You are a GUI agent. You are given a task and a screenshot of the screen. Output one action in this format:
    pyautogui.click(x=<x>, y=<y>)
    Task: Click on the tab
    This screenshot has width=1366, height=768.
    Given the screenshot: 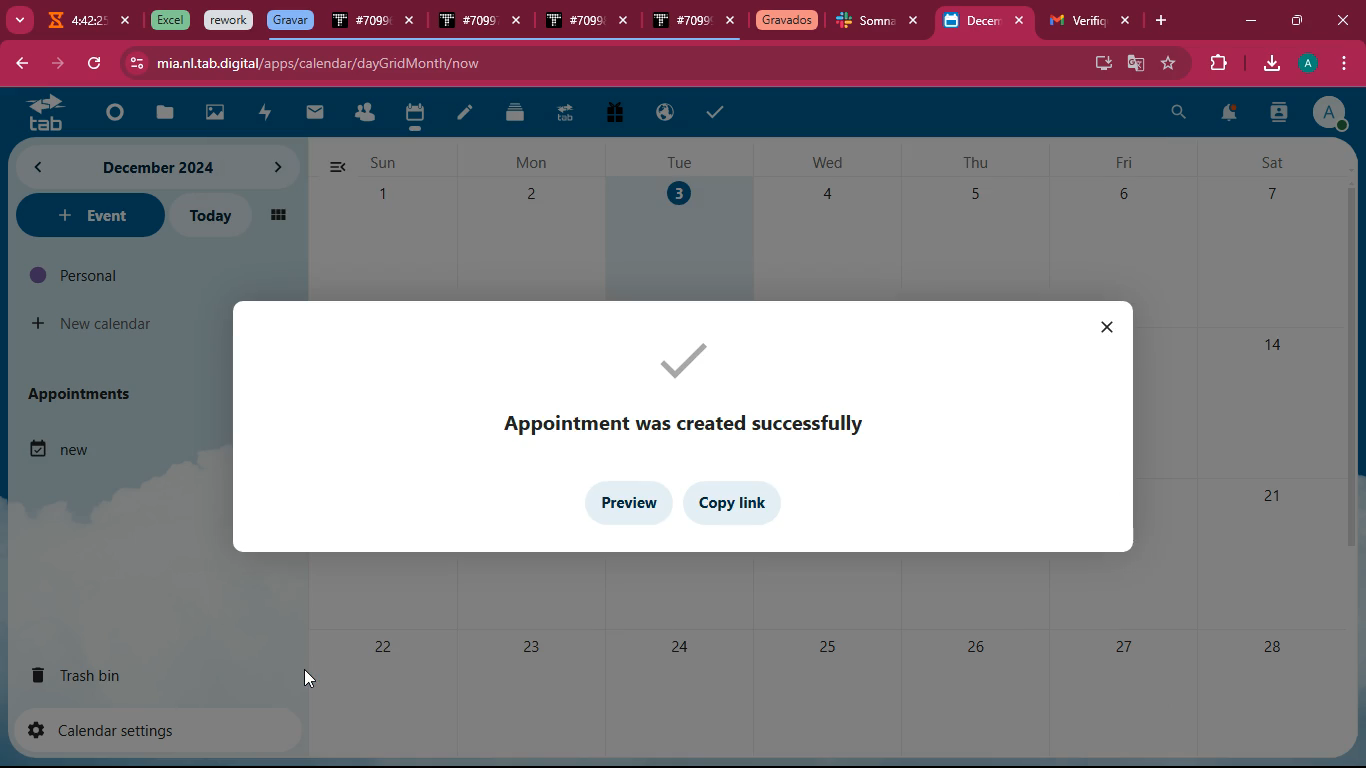 What is the action you would take?
    pyautogui.click(x=290, y=20)
    